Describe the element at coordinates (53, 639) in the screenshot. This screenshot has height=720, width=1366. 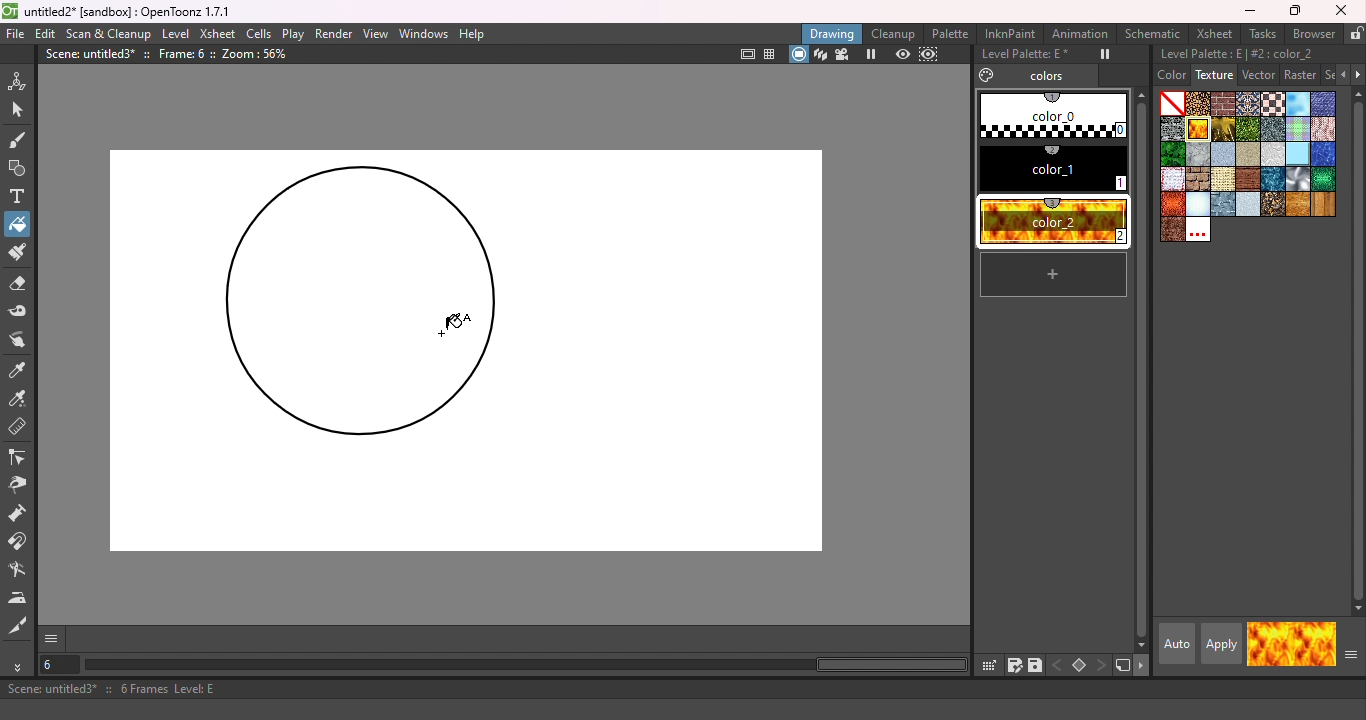
I see `GUI show/hide` at that location.